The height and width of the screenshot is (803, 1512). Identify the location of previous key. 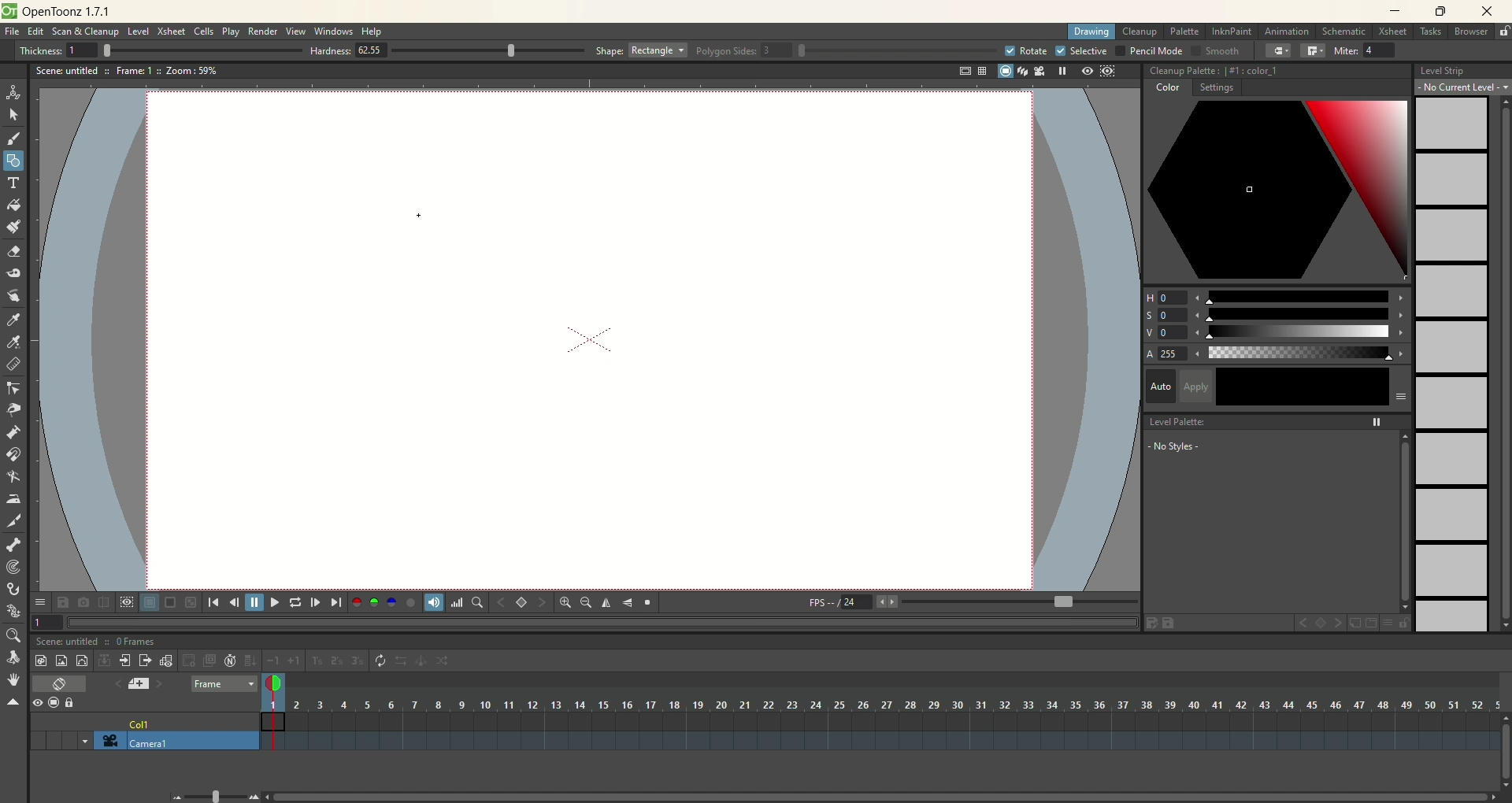
(1303, 625).